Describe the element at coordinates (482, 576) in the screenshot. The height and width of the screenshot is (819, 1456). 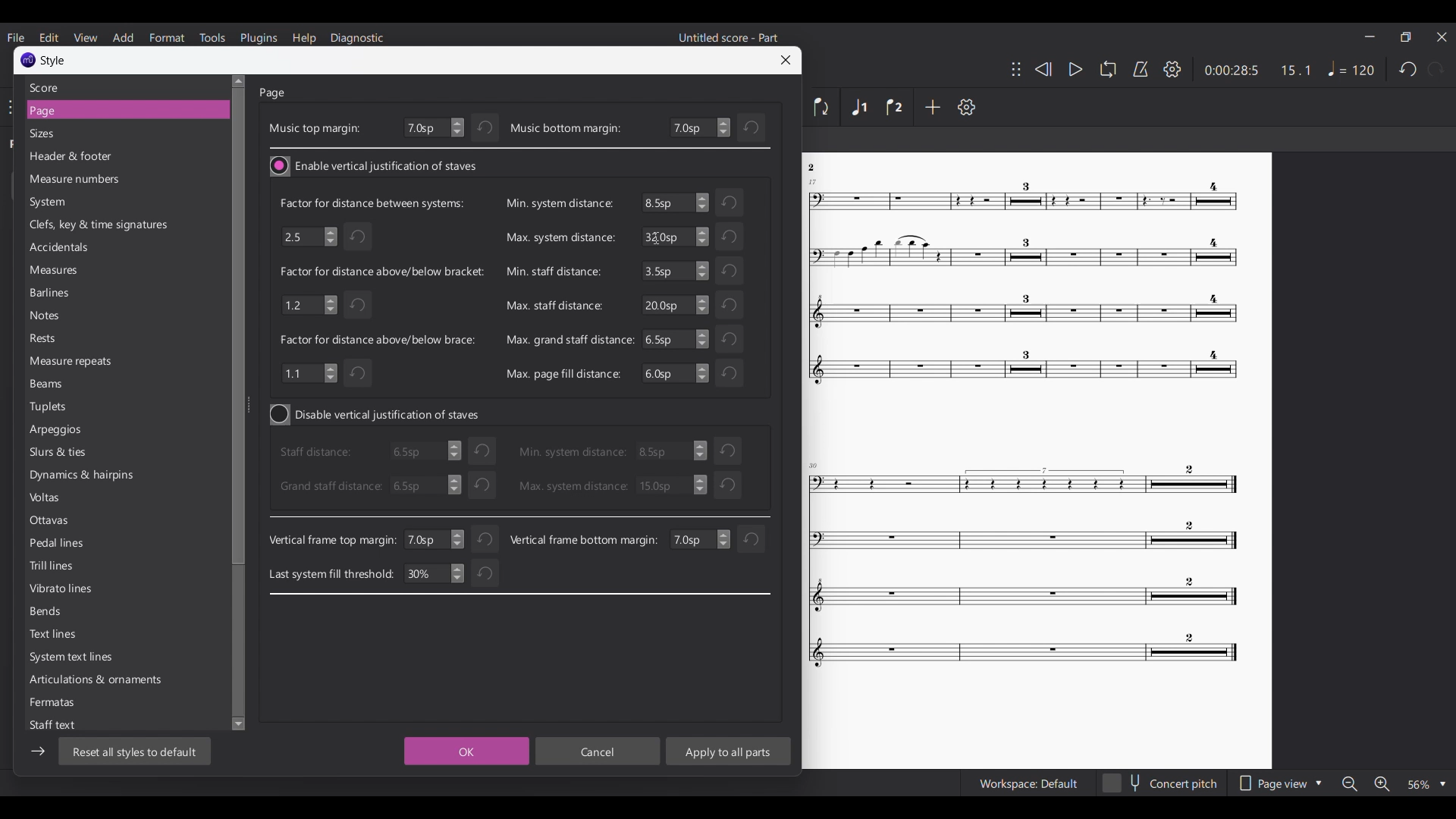
I see `Undo` at that location.